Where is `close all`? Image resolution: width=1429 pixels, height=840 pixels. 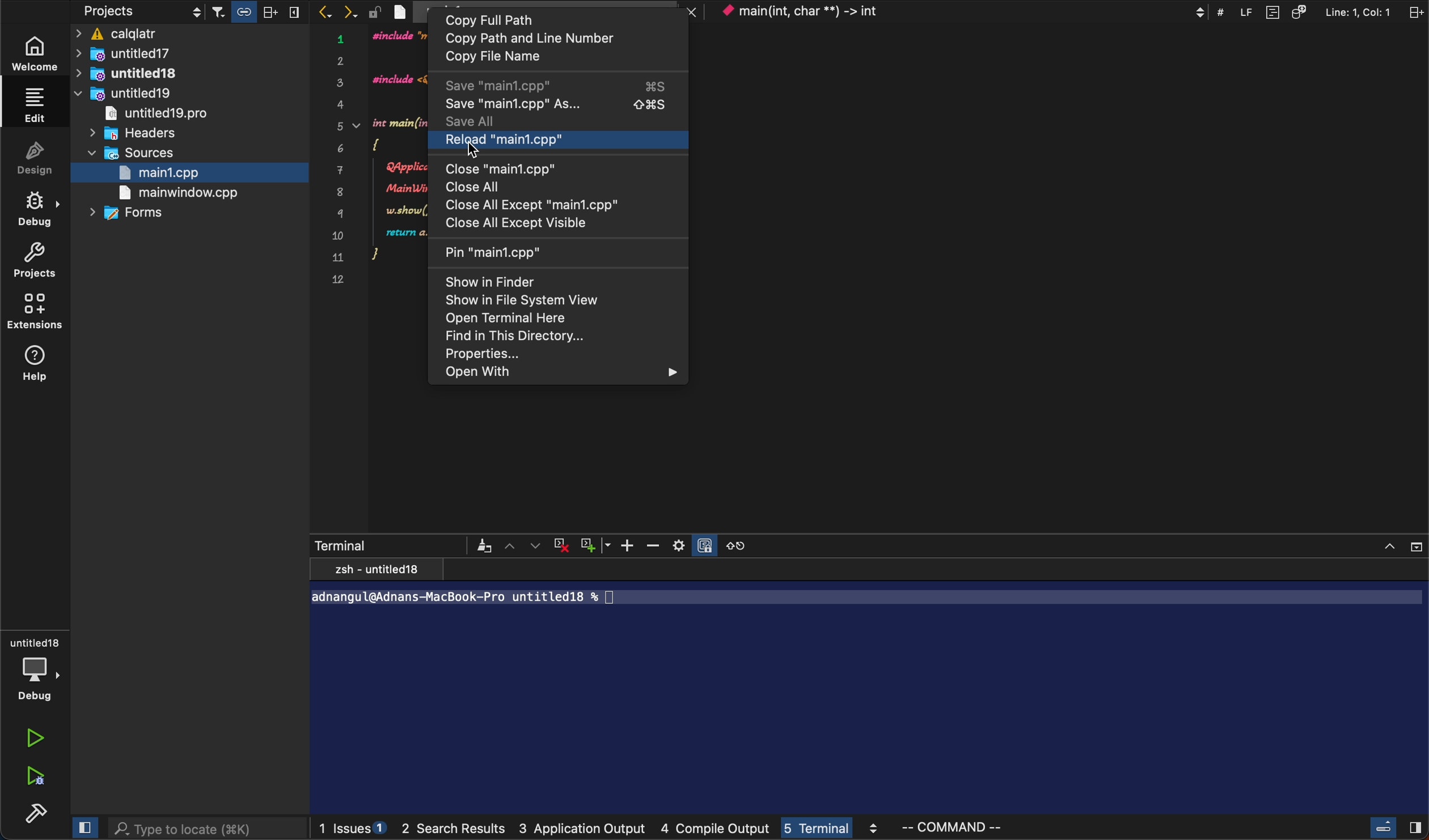 close all is located at coordinates (488, 186).